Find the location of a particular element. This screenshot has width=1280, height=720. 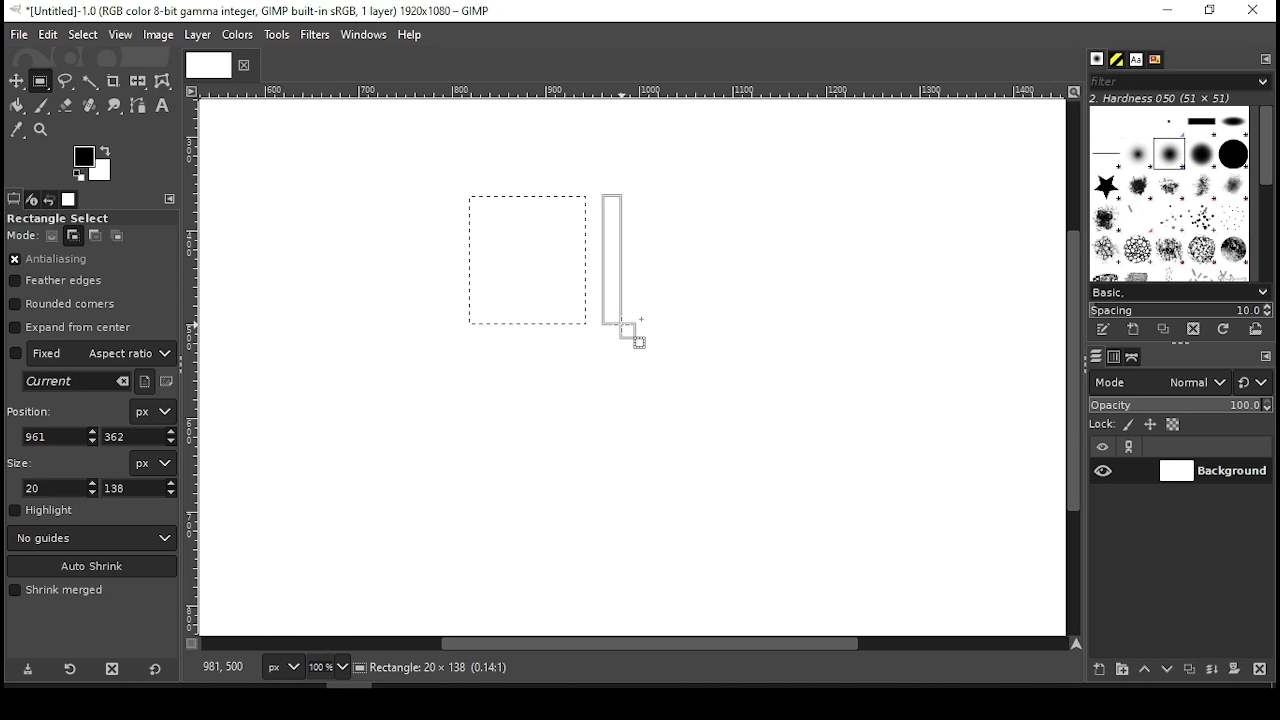

tool options is located at coordinates (14, 198).